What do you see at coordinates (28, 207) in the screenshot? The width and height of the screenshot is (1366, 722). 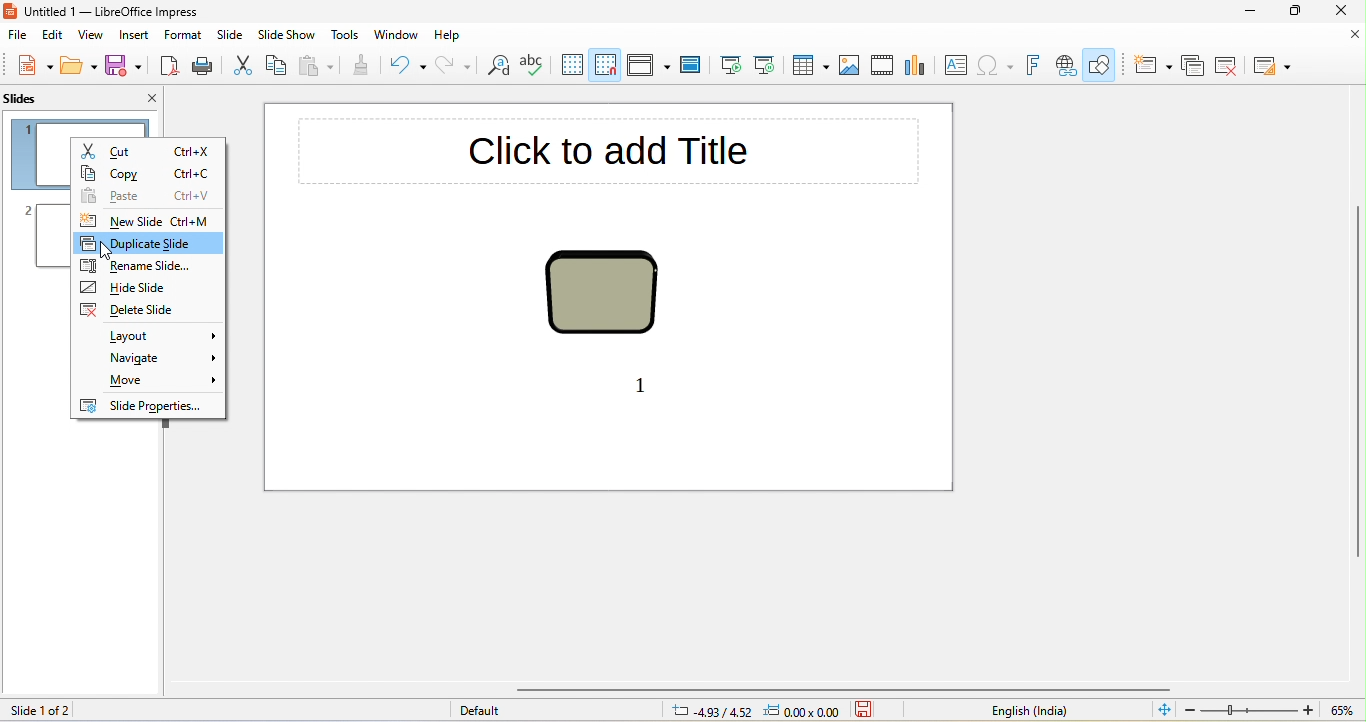 I see `2` at bounding box center [28, 207].